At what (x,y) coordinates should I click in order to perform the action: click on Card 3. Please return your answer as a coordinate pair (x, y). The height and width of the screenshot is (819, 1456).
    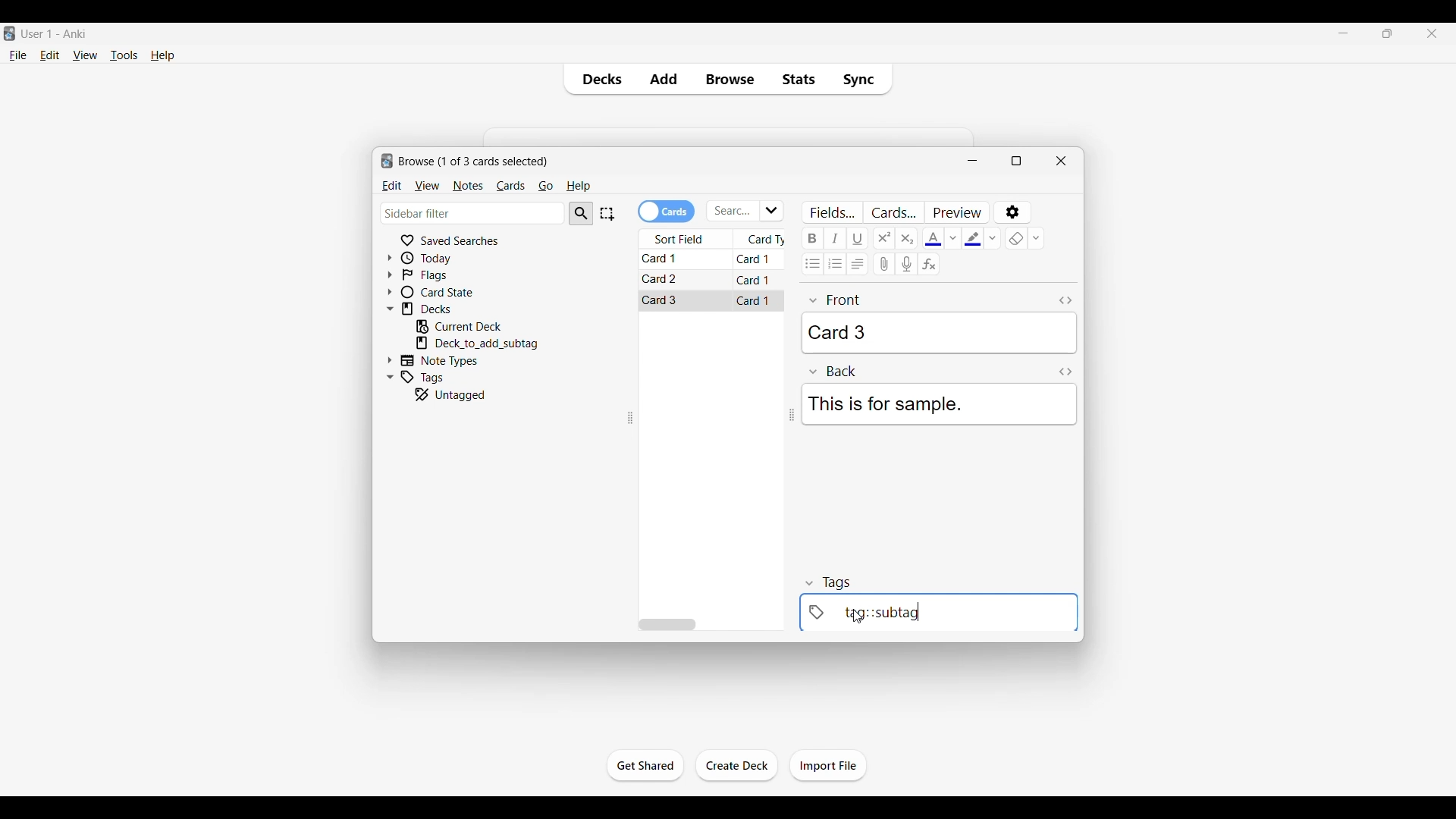
    Looking at the image, I should click on (663, 300).